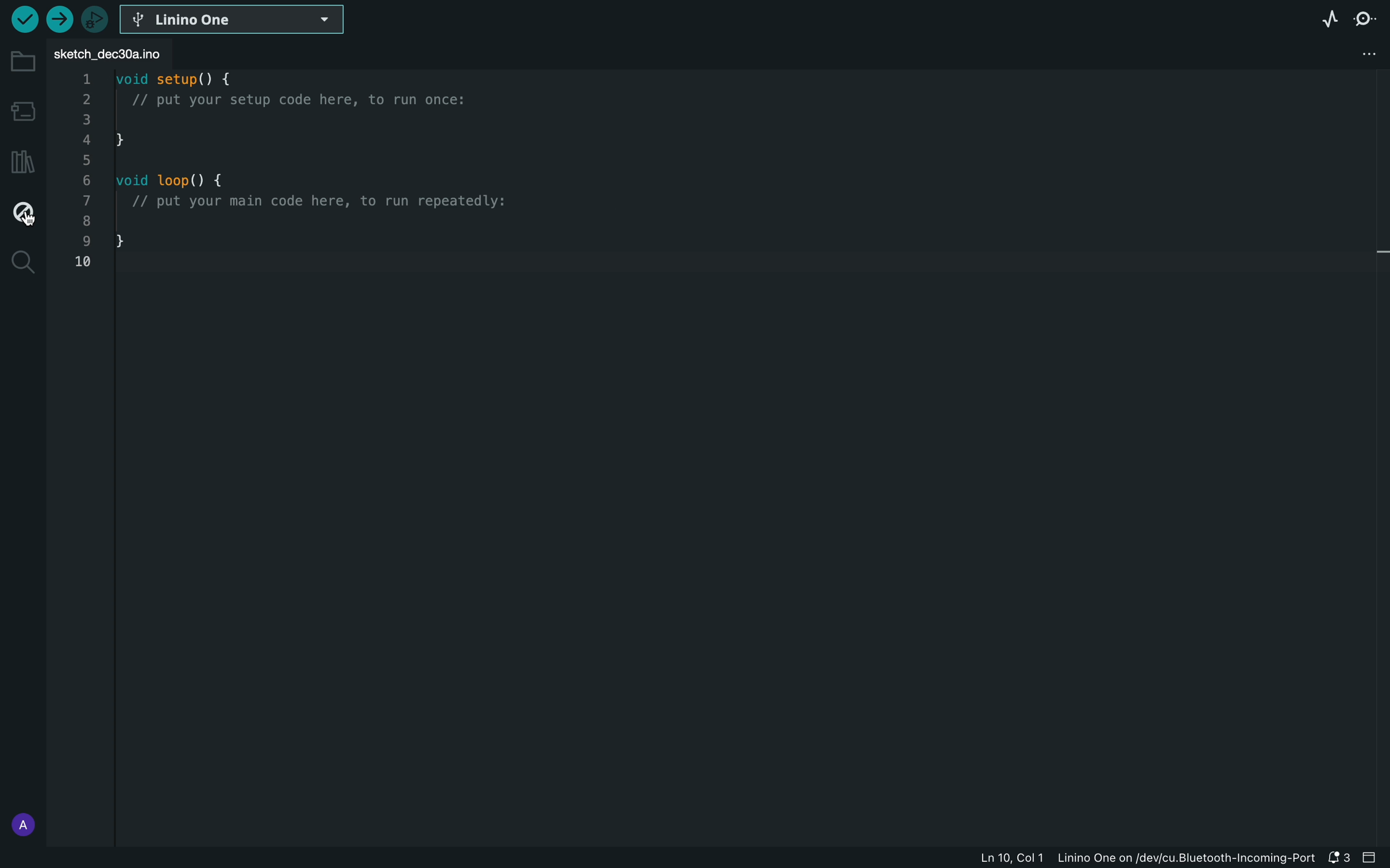 The image size is (1390, 868). I want to click on search, so click(20, 263).